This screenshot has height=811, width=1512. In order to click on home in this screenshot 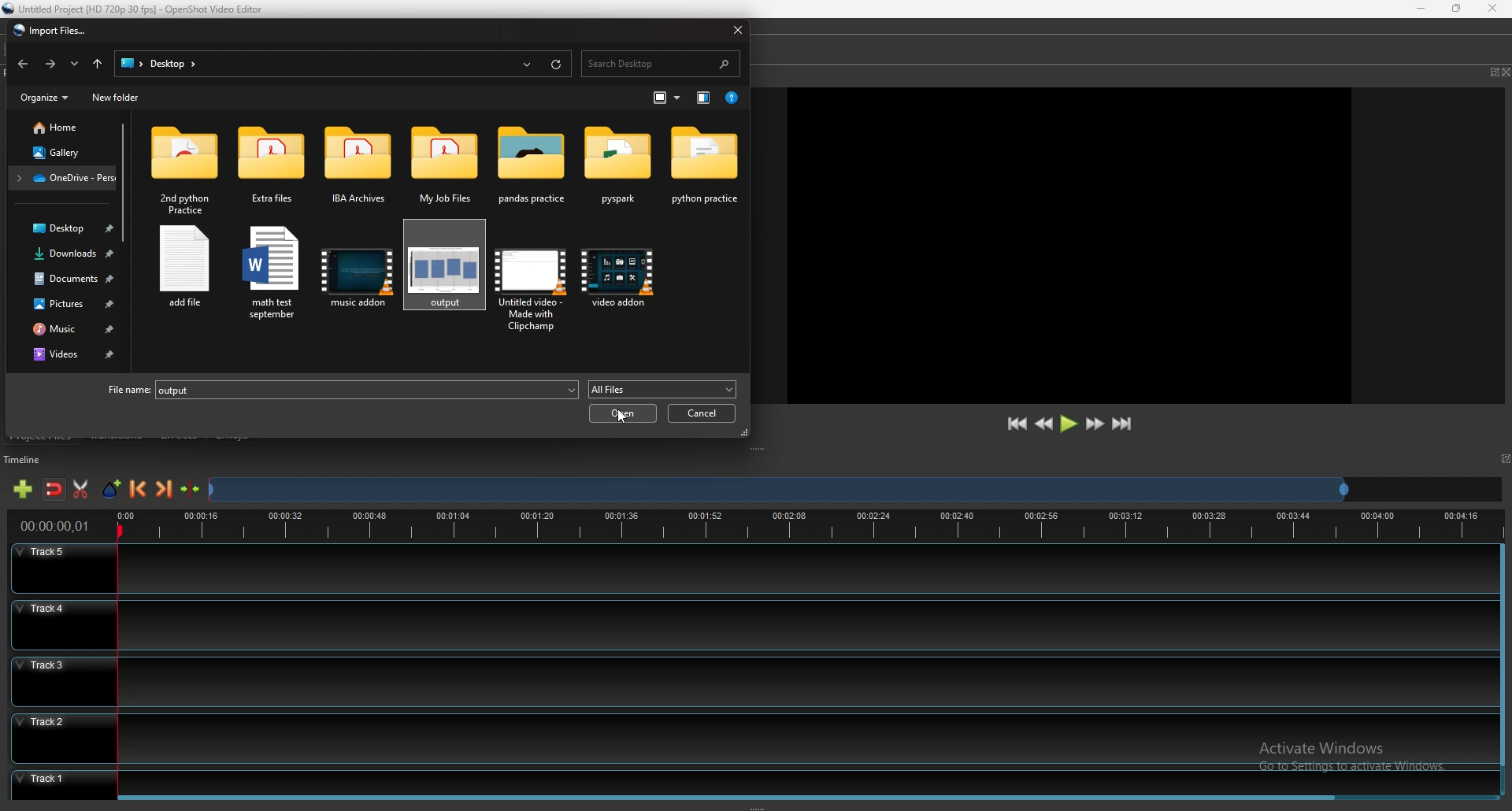, I will do `click(64, 127)`.